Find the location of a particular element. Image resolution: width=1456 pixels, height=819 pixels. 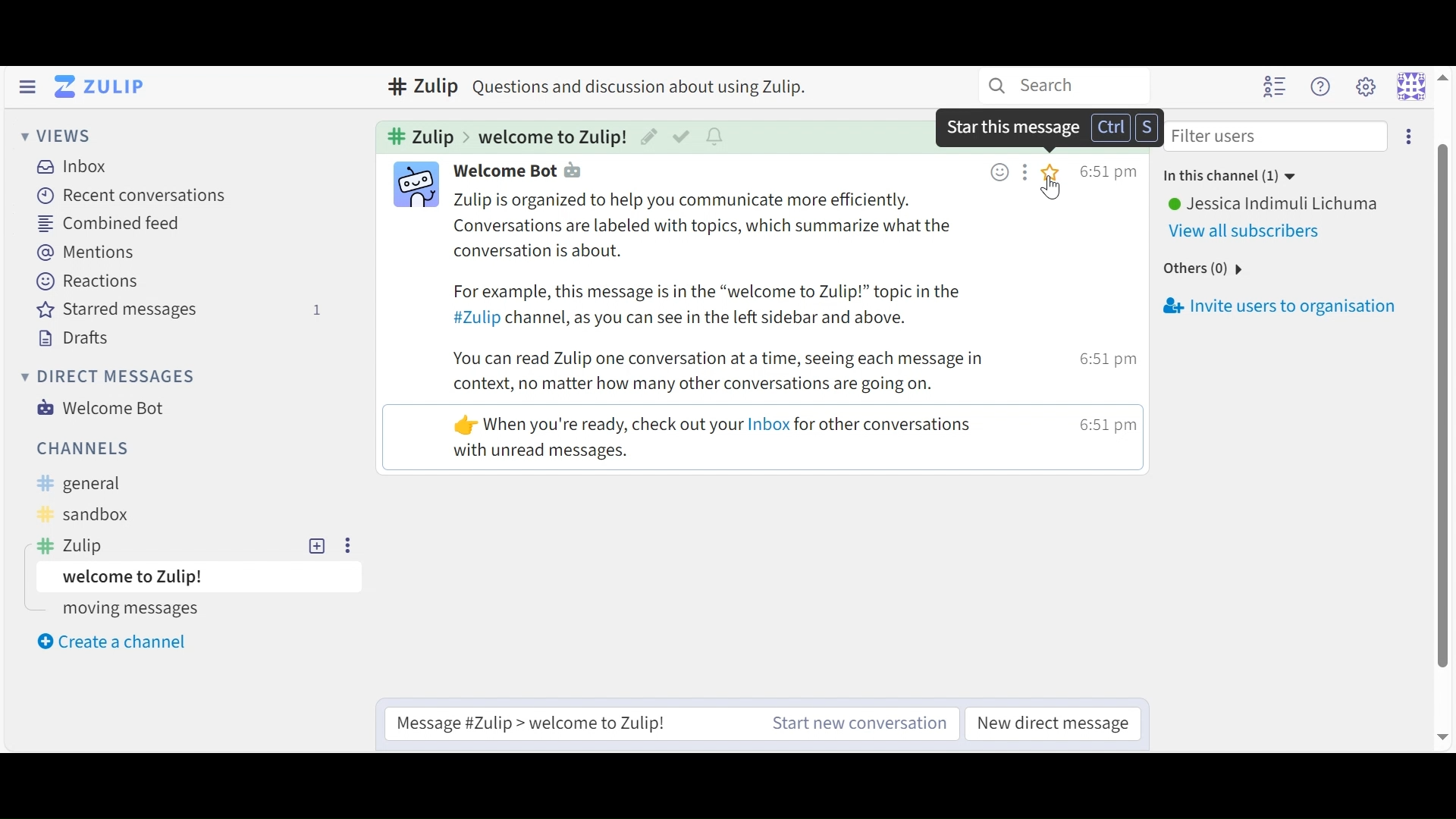

Combined Feed is located at coordinates (102, 224).